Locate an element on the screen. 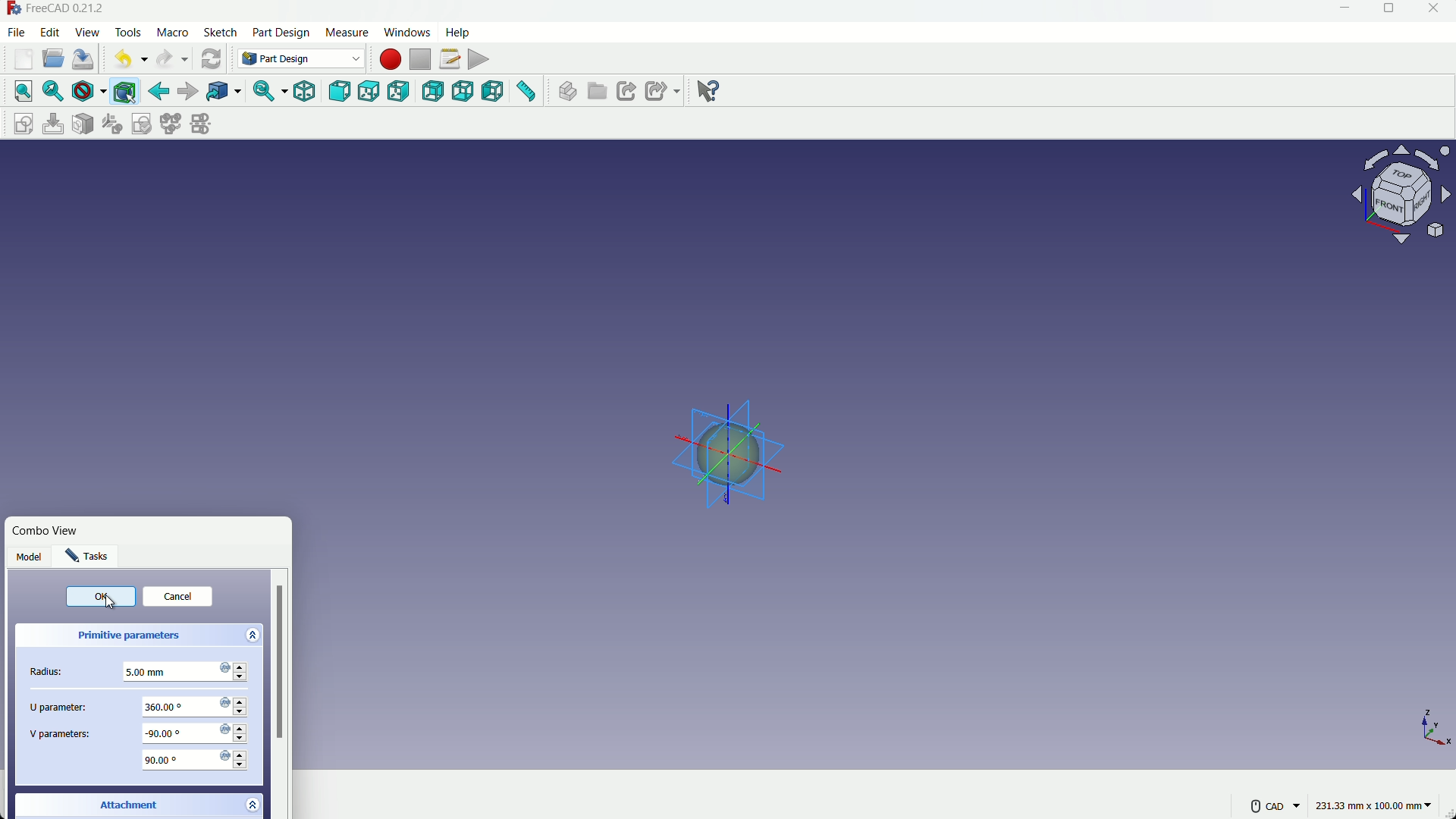 The image size is (1456, 819). validate sketch is located at coordinates (142, 124).